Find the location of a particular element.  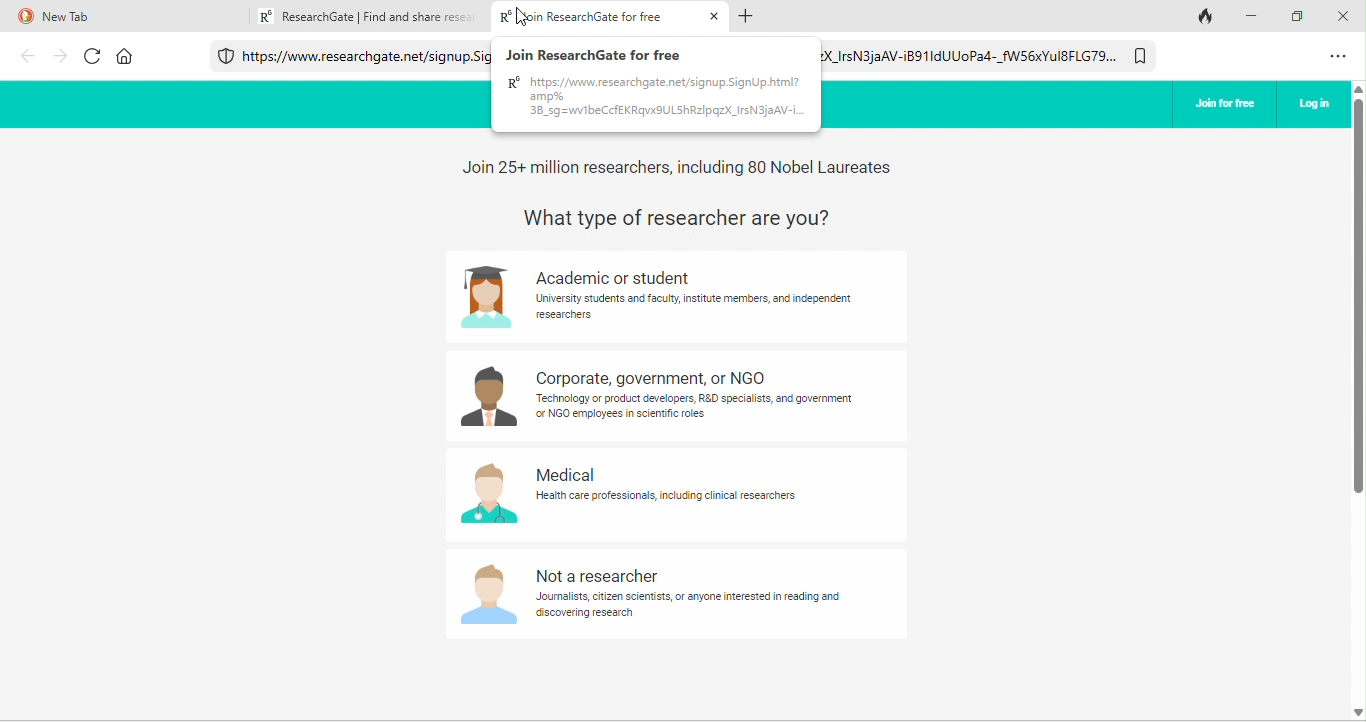

forward is located at coordinates (58, 55).